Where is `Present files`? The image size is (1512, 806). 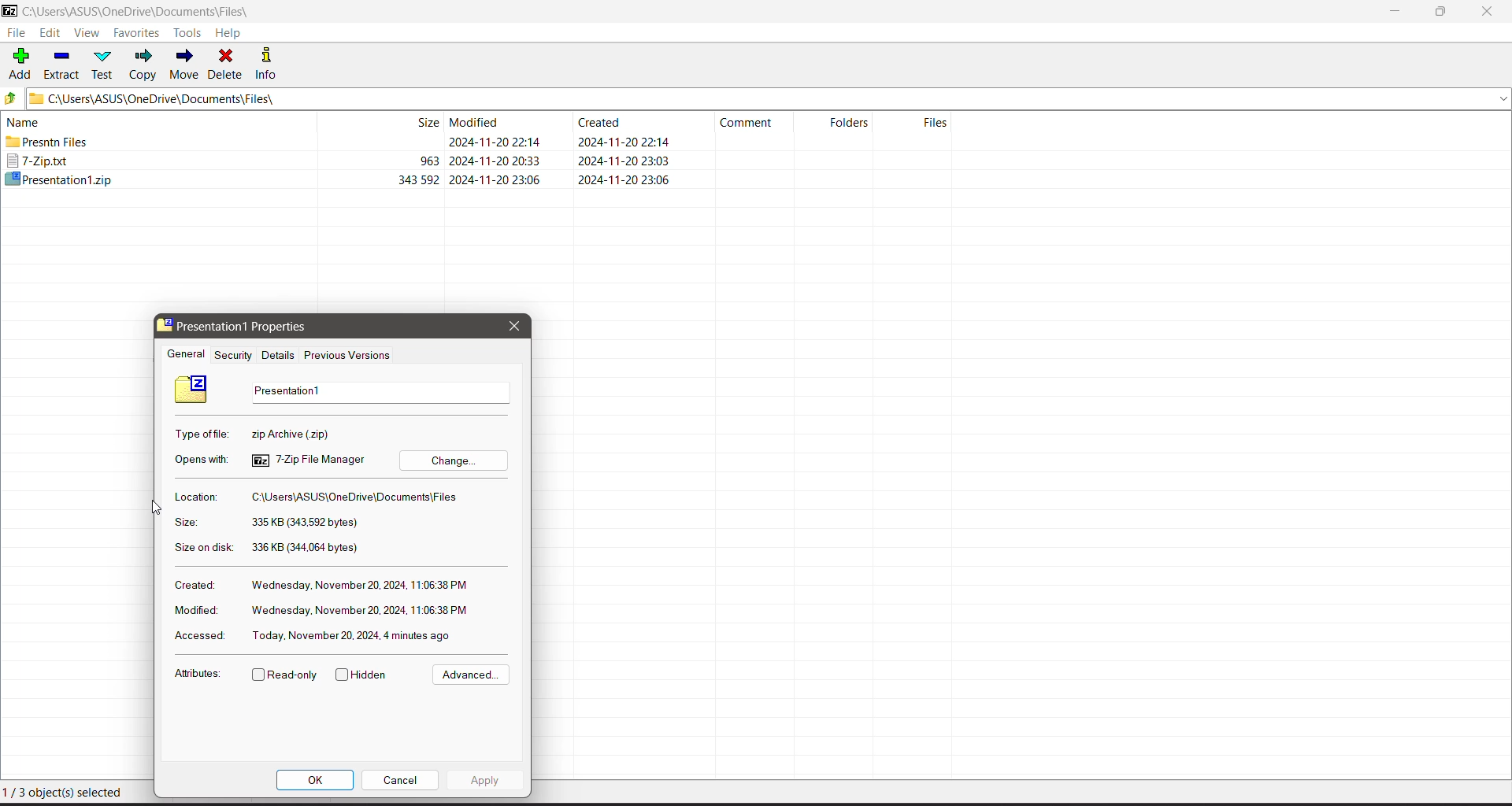 Present files is located at coordinates (340, 142).